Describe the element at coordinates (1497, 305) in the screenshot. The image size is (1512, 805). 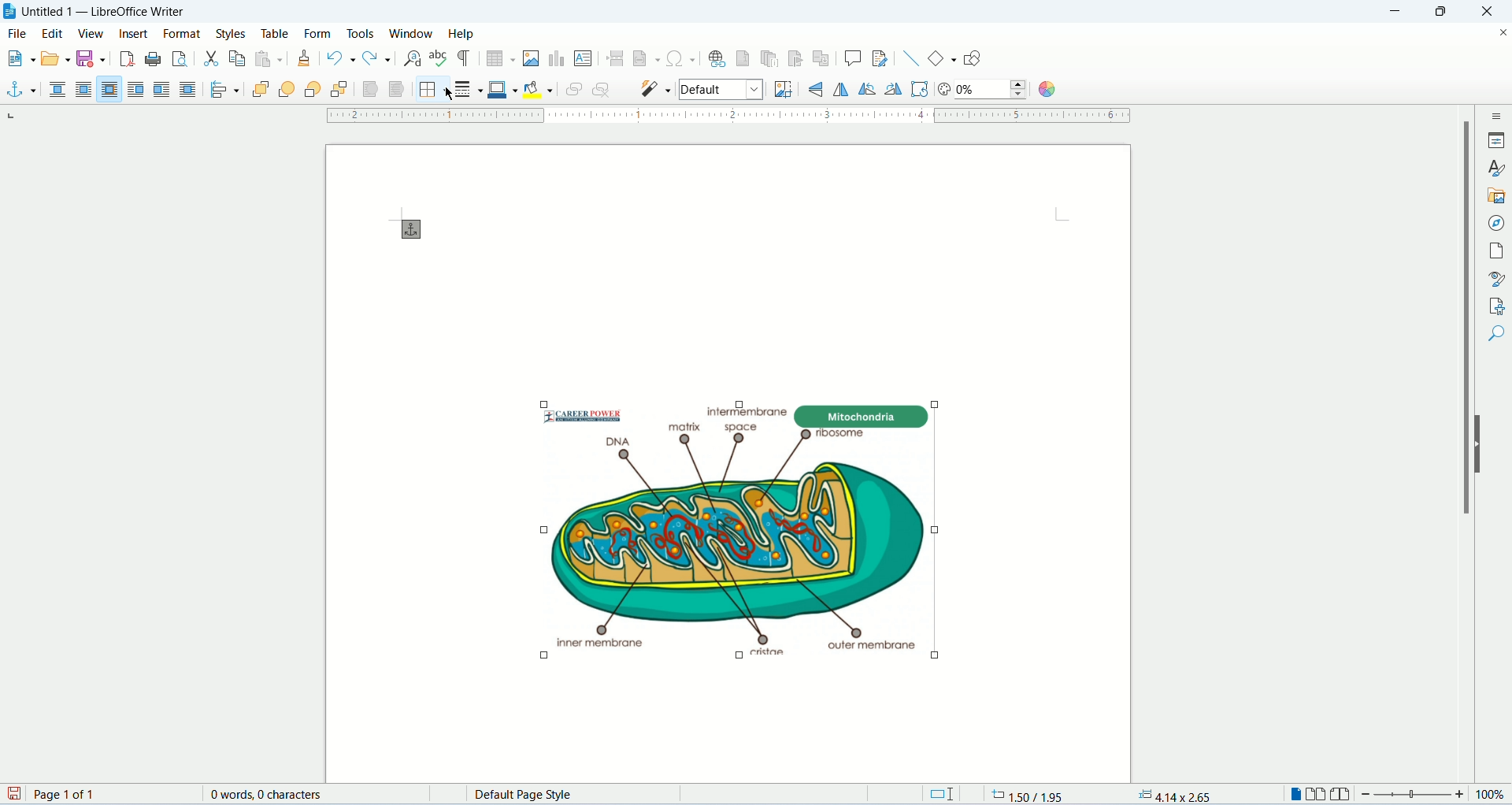
I see `manage changes` at that location.